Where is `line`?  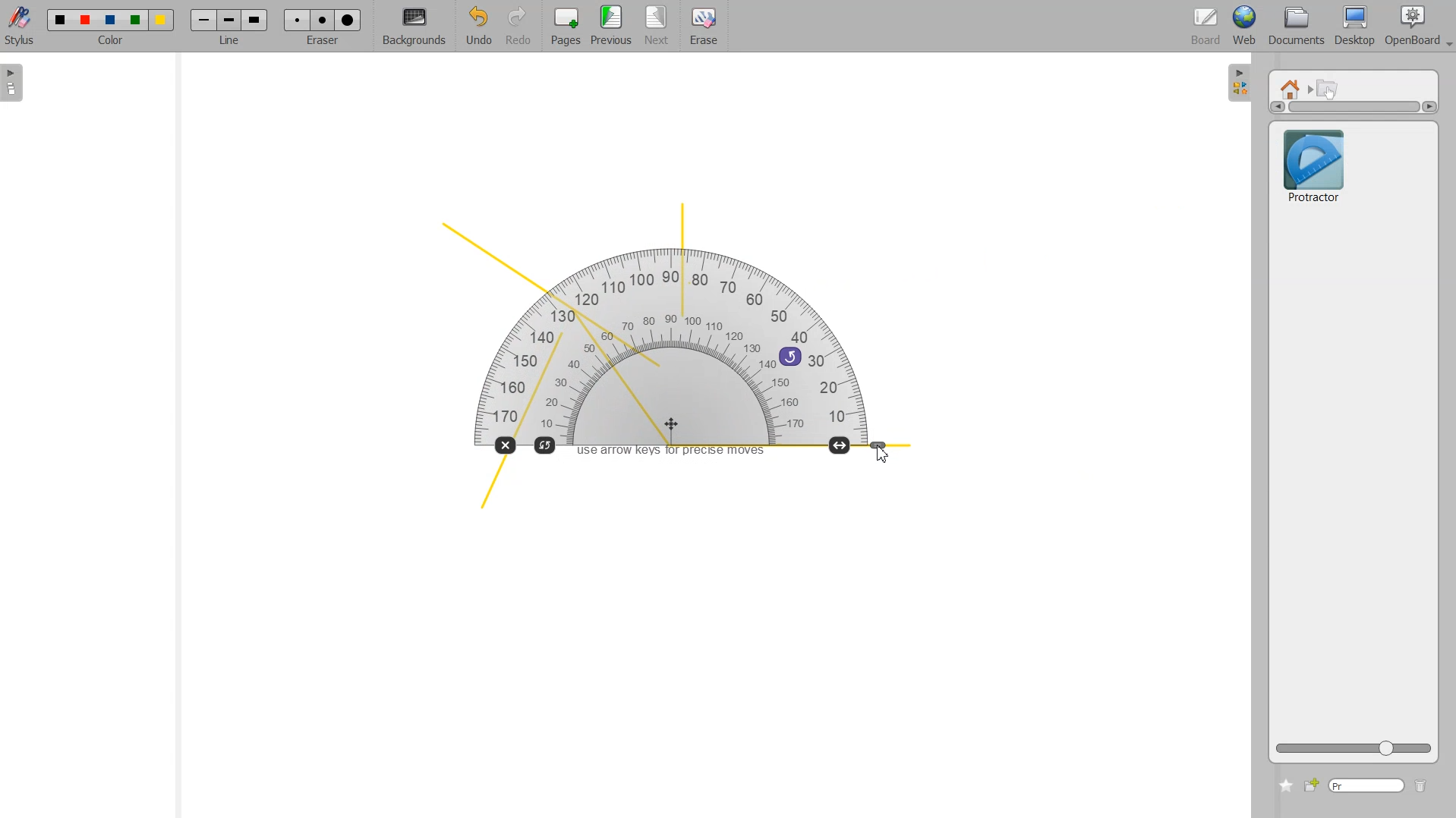 line is located at coordinates (232, 42).